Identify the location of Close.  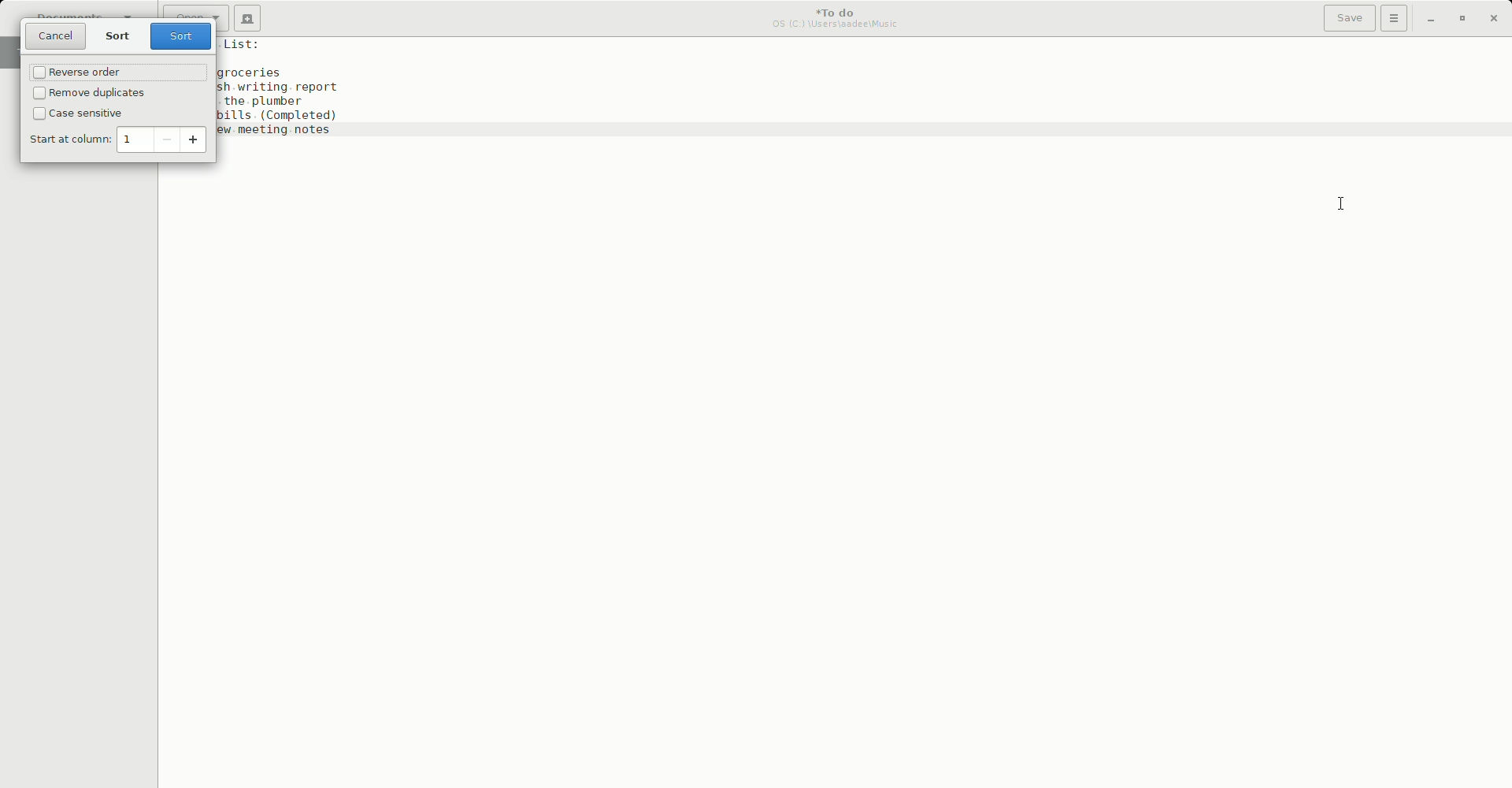
(1494, 20).